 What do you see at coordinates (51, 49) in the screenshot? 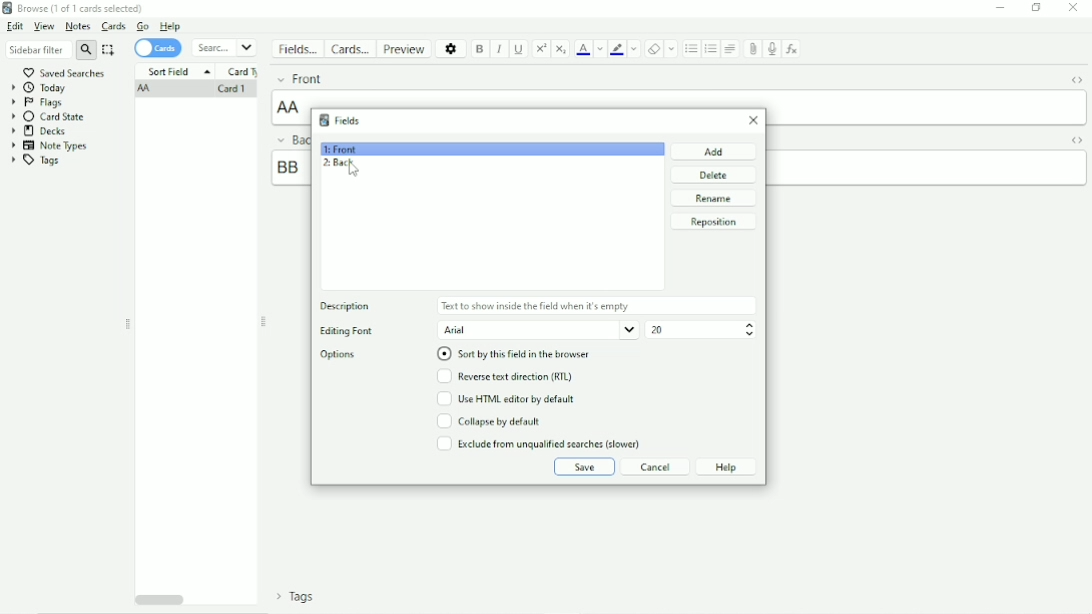
I see `Sidebar filter` at bounding box center [51, 49].